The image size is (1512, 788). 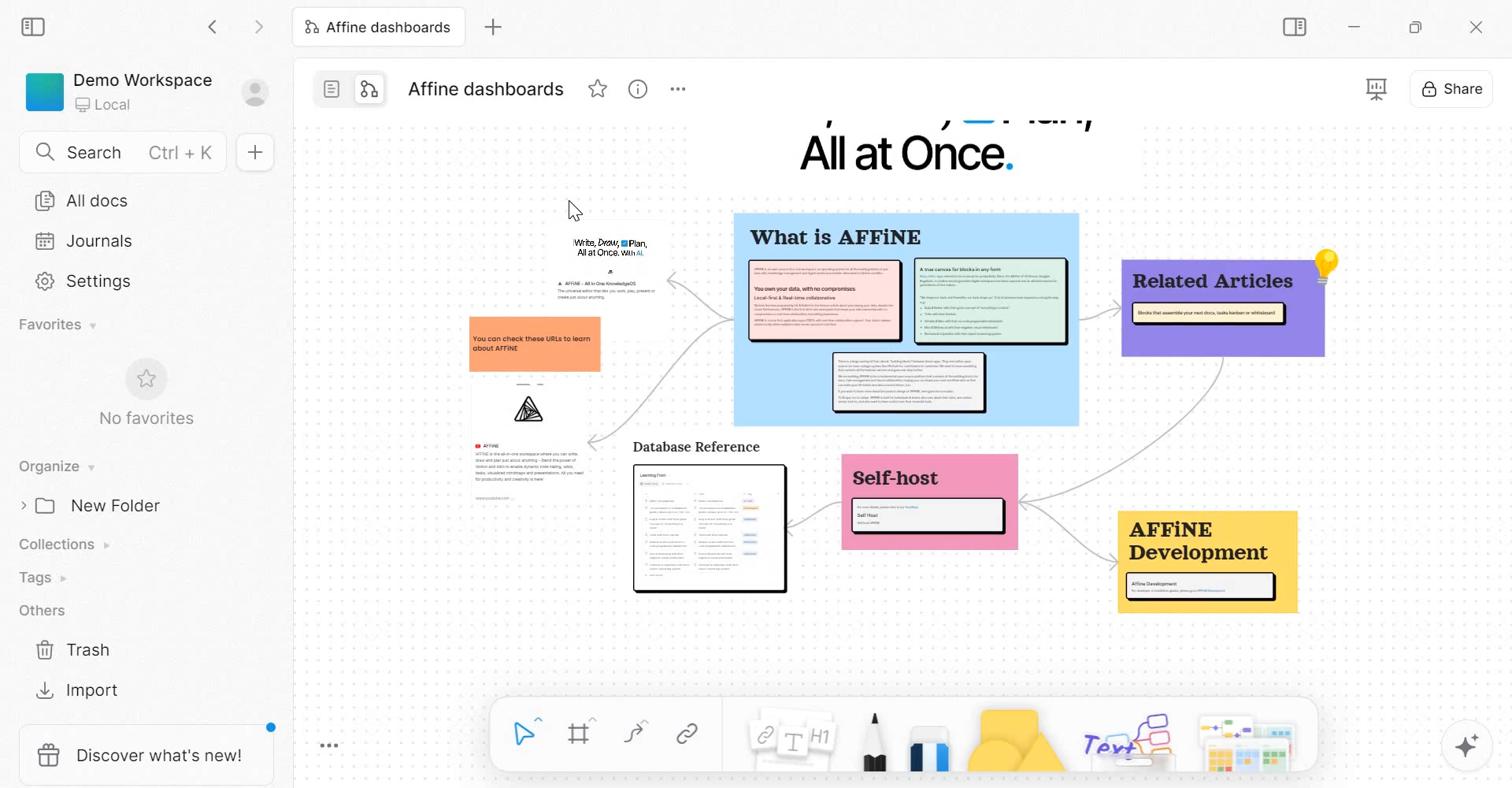 What do you see at coordinates (1466, 748) in the screenshot?
I see `magic tool` at bounding box center [1466, 748].